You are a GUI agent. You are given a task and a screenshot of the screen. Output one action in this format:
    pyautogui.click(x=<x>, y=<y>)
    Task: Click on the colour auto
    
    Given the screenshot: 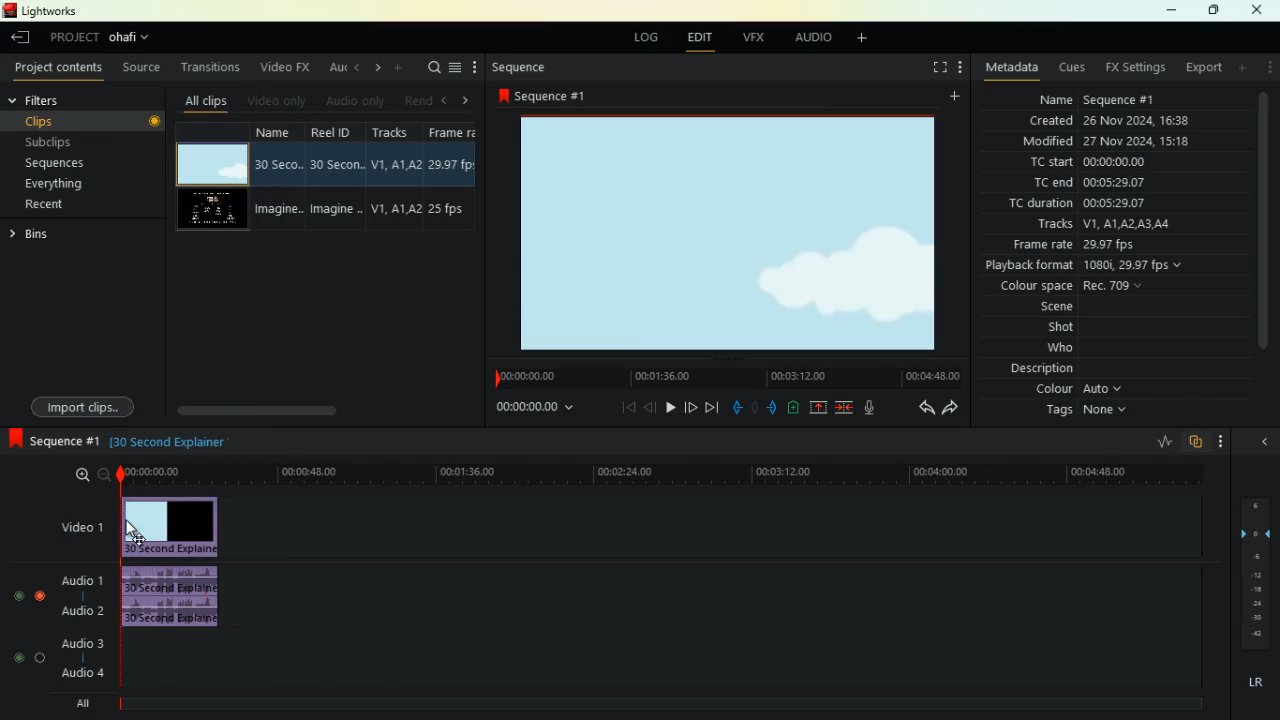 What is the action you would take?
    pyautogui.click(x=1082, y=389)
    